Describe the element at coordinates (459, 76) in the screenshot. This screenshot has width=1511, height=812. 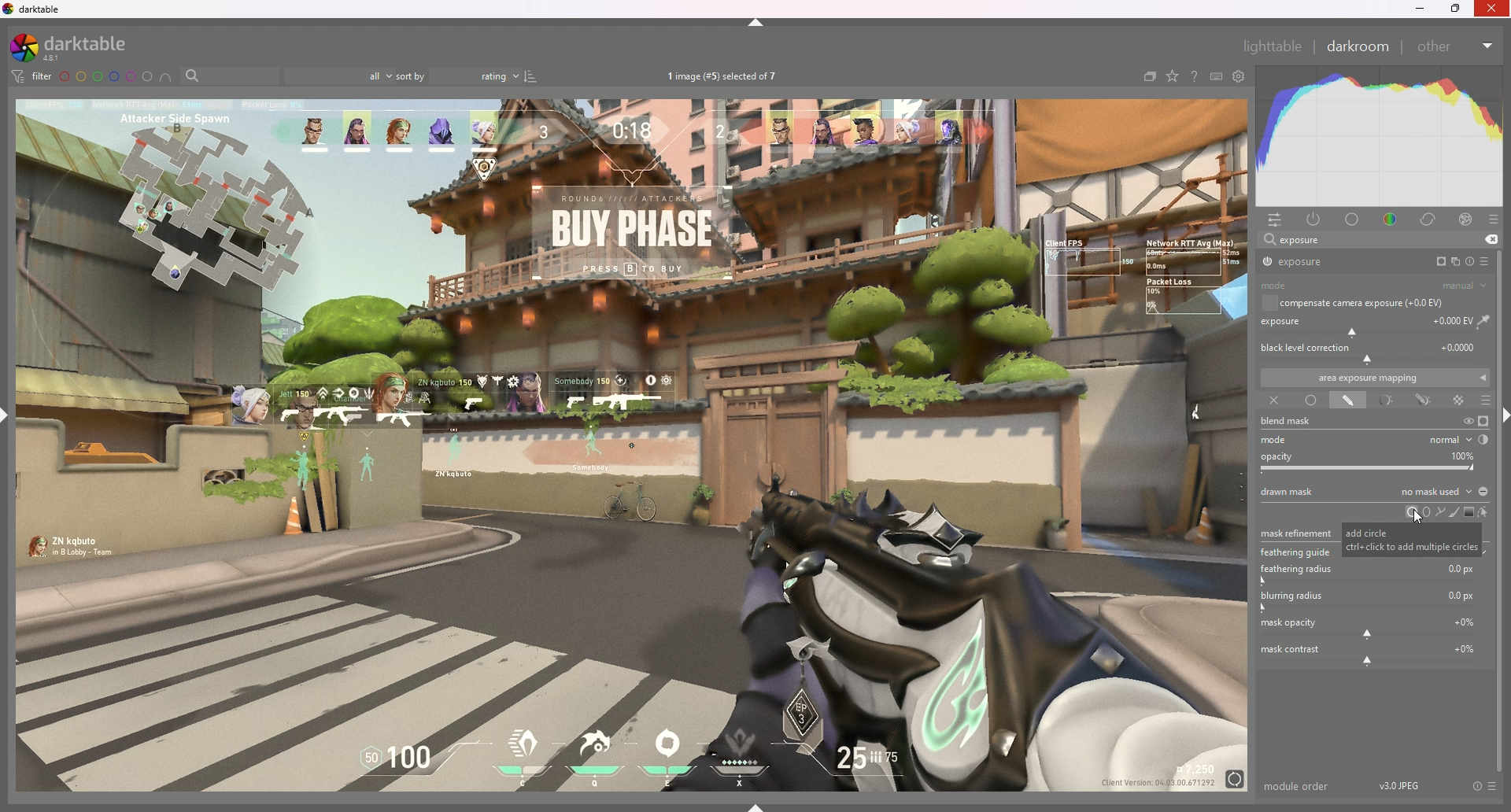
I see `sort by` at that location.